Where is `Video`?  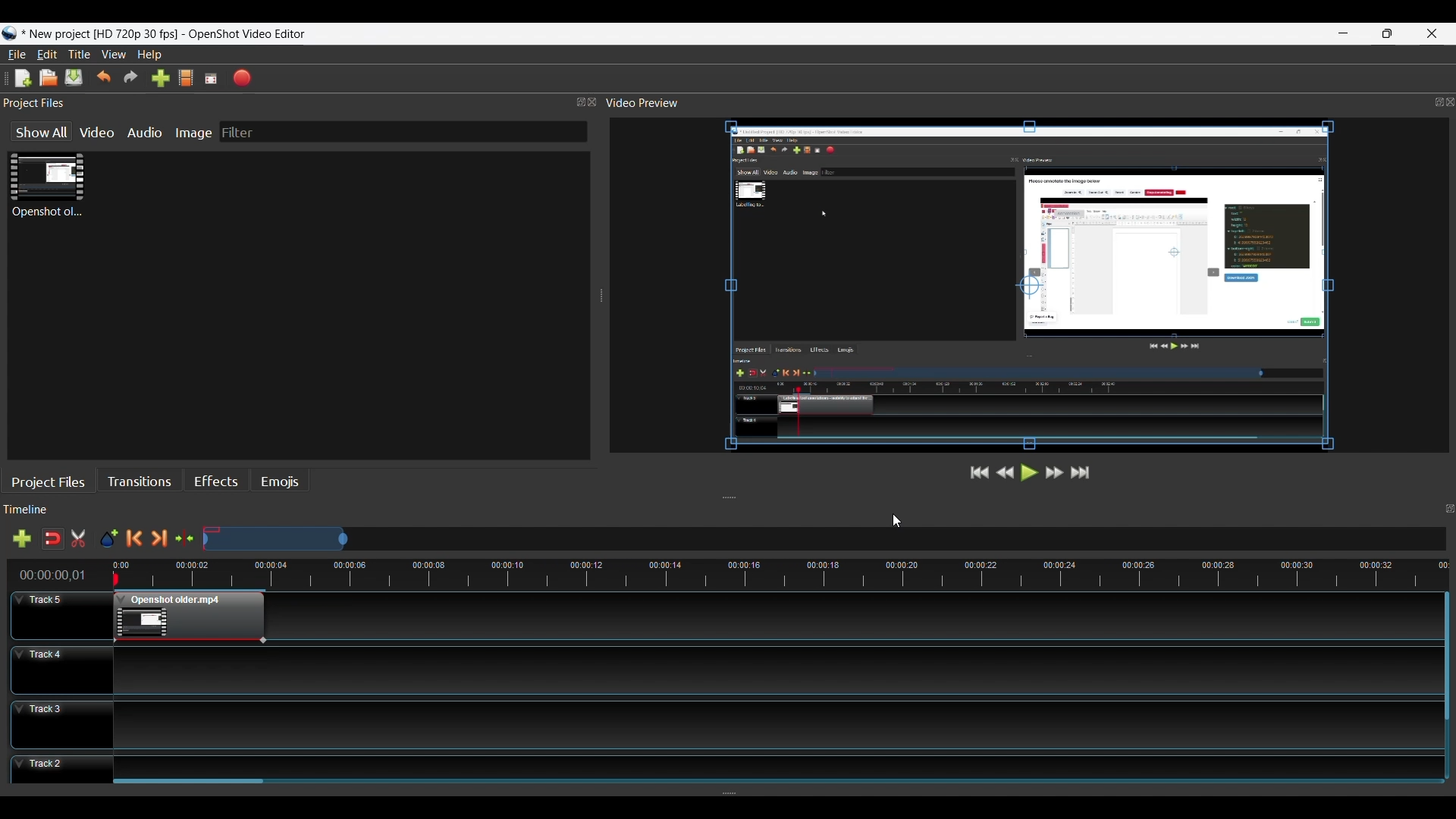
Video is located at coordinates (98, 133).